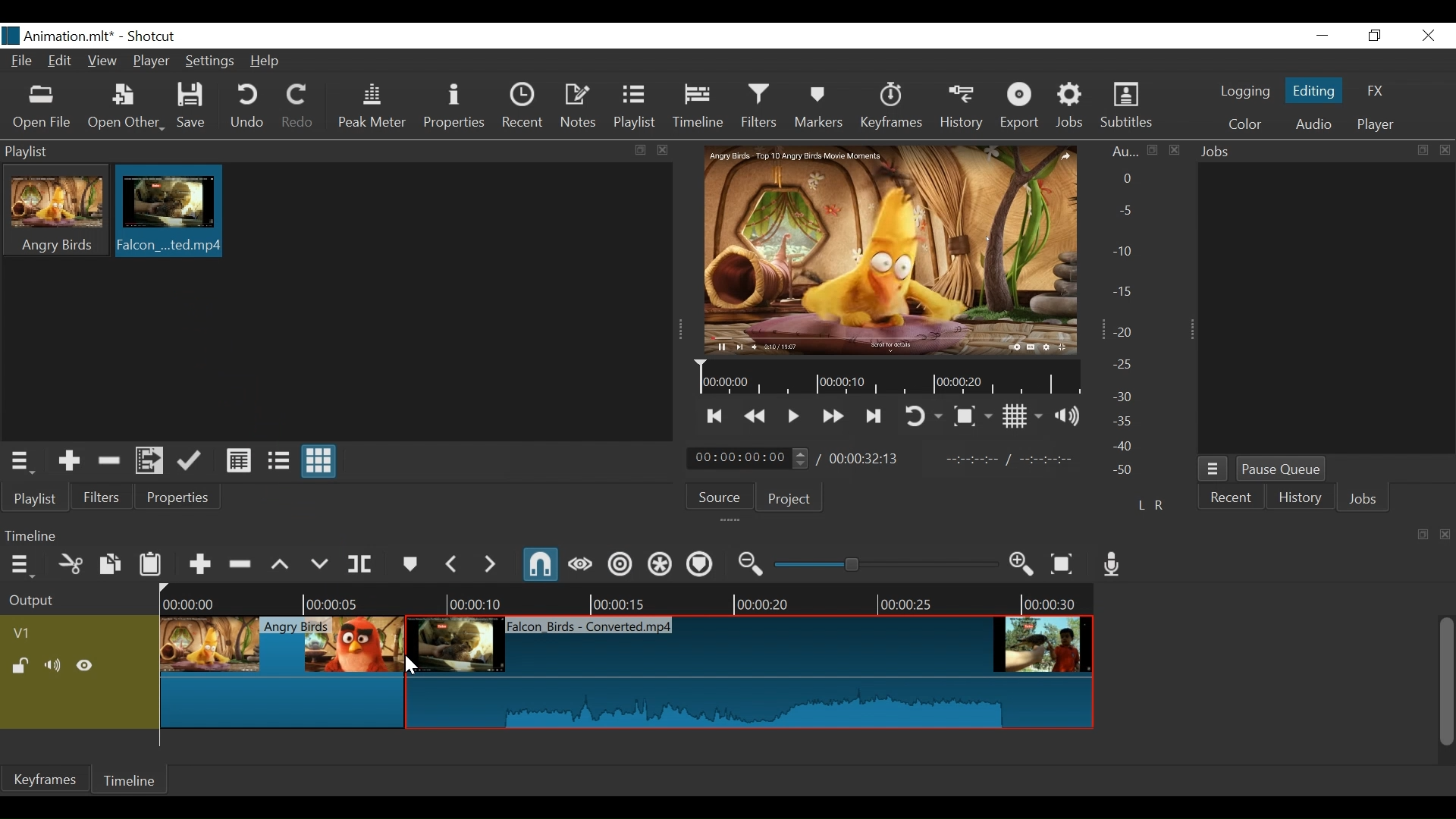 The width and height of the screenshot is (1456, 819). I want to click on Add the Source to the playlist, so click(67, 460).